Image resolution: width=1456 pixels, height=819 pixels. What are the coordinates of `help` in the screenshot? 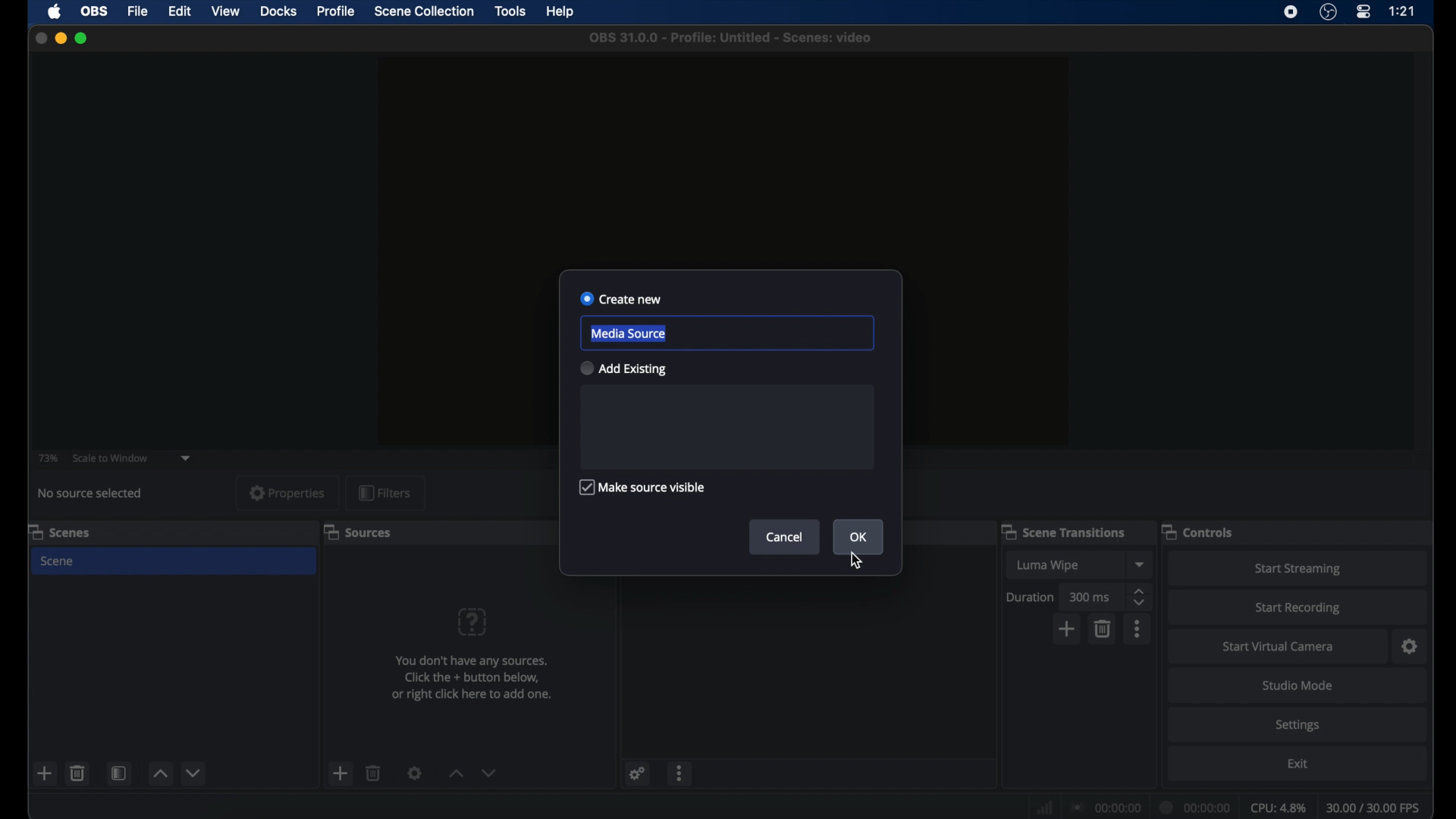 It's located at (561, 13).